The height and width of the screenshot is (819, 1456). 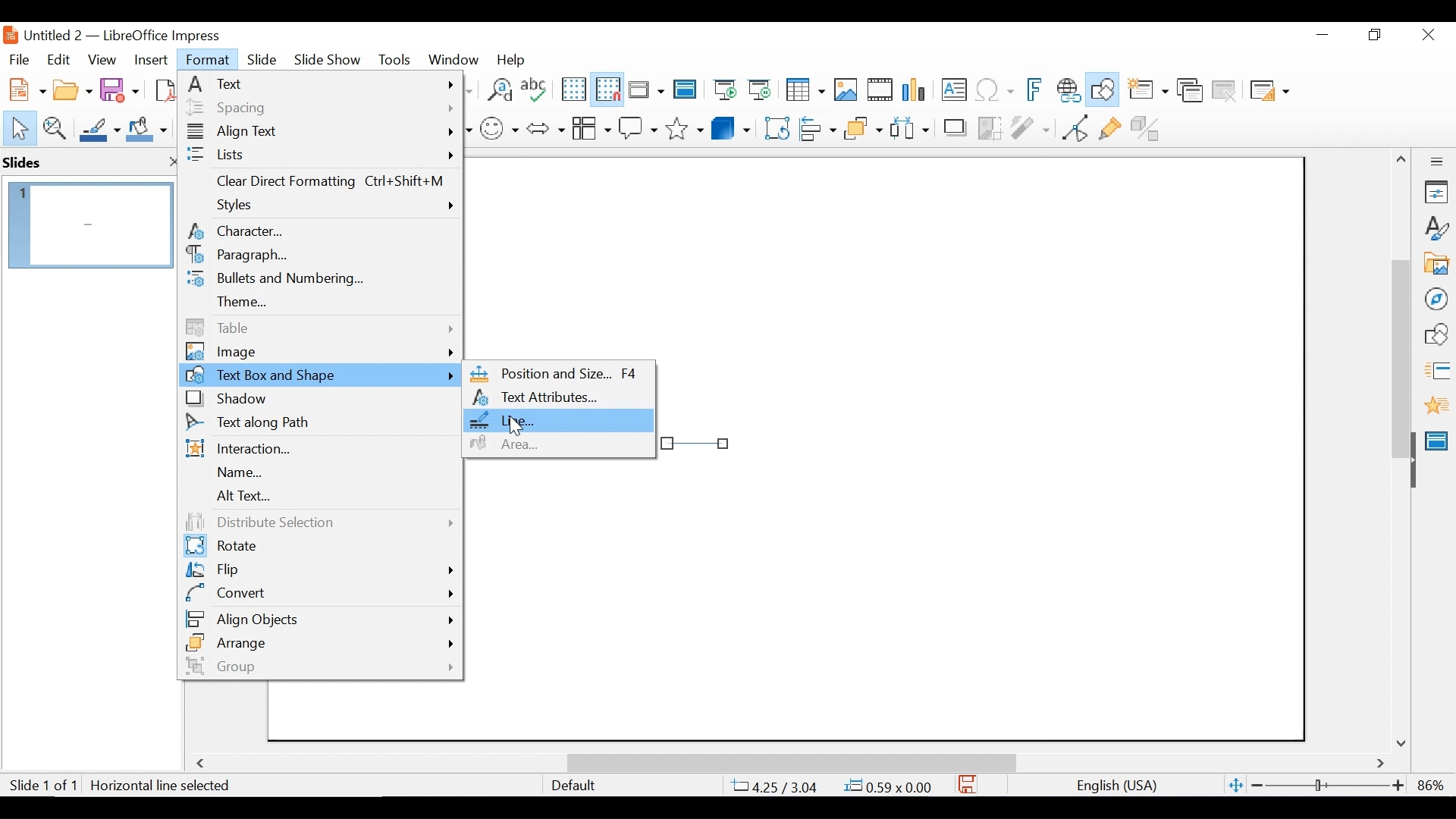 I want to click on New, so click(x=24, y=88).